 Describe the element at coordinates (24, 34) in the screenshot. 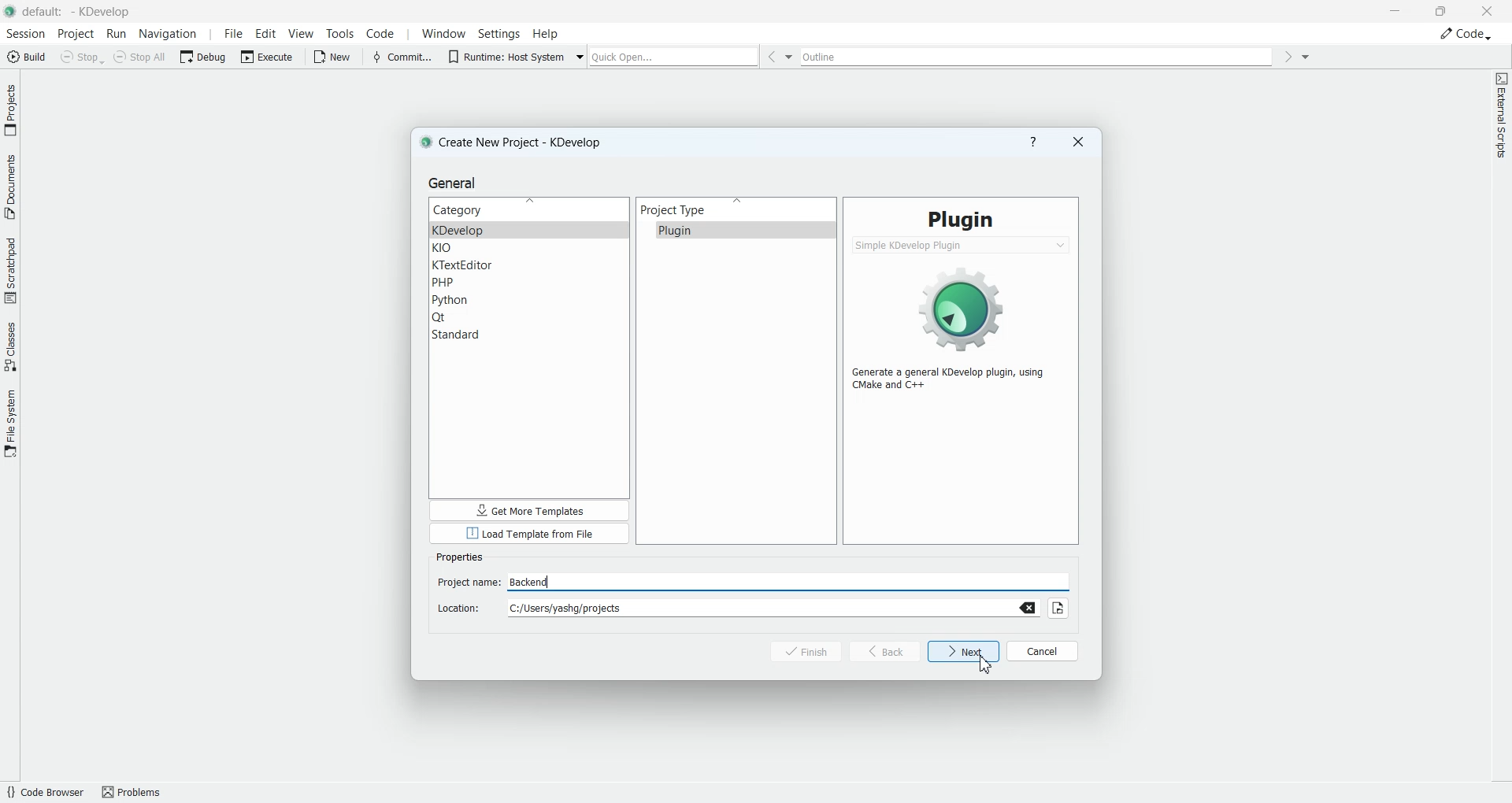

I see `Session` at that location.